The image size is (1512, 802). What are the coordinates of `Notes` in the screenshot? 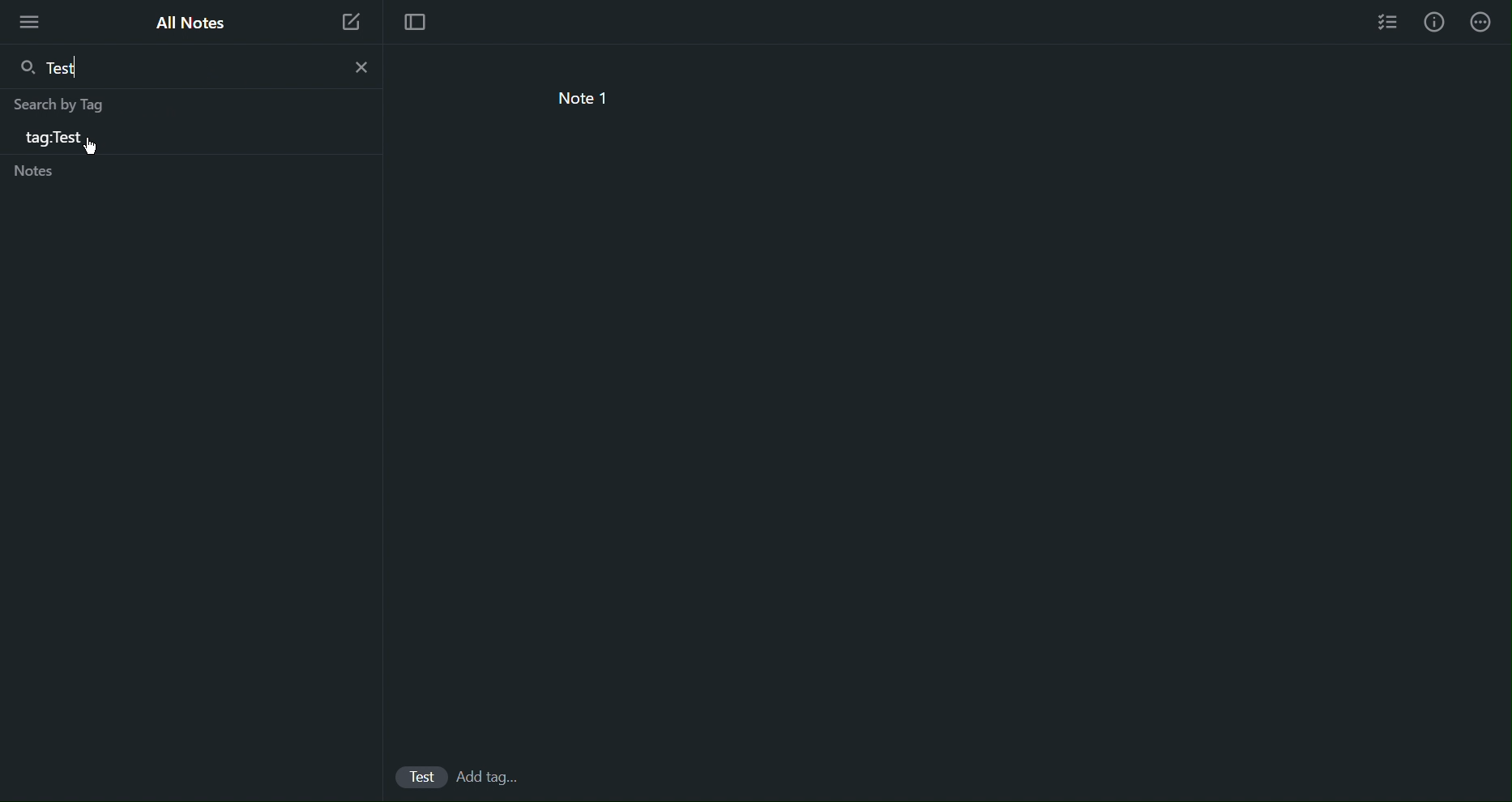 It's located at (35, 171).